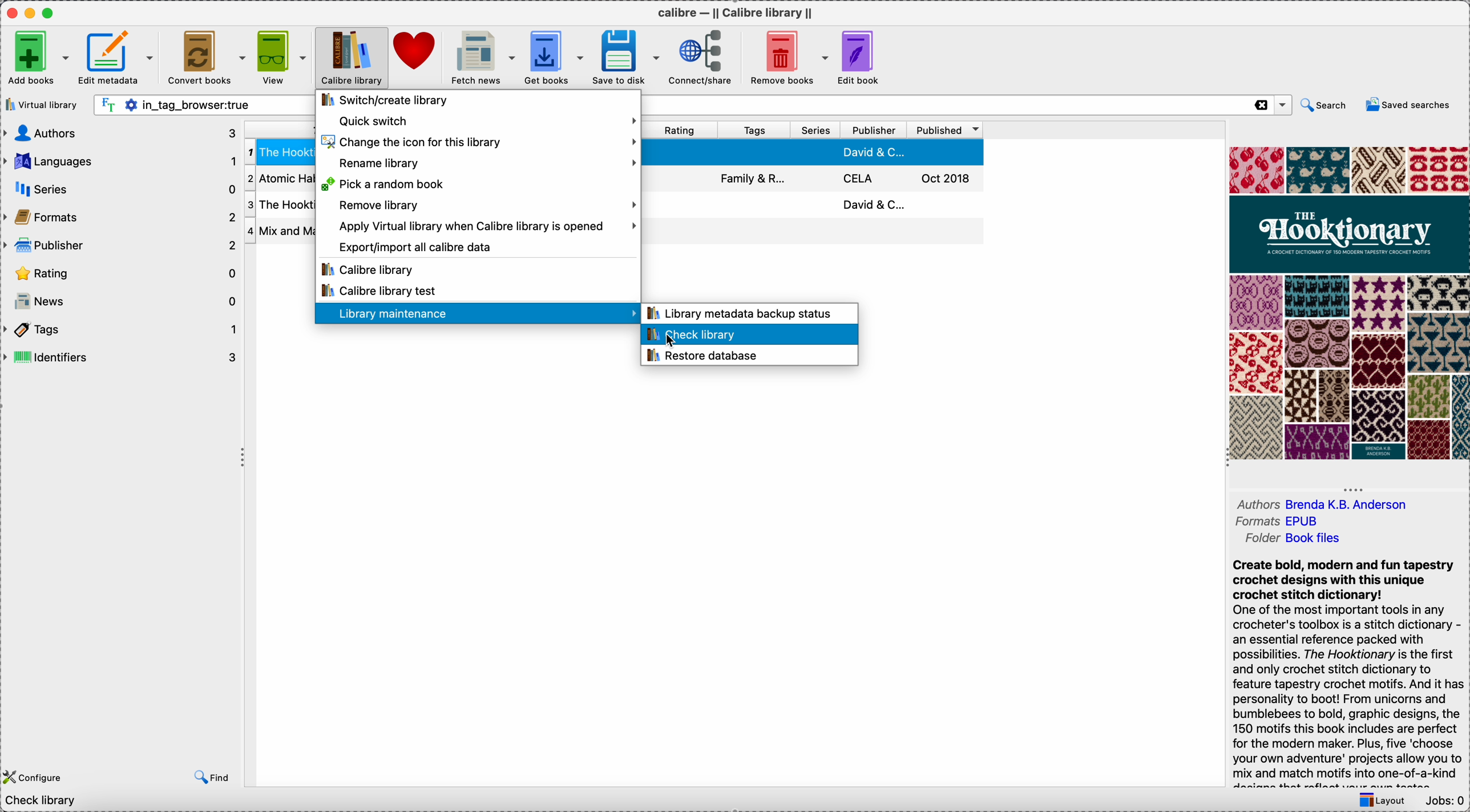 This screenshot has width=1470, height=812. I want to click on minimize app, so click(30, 11).